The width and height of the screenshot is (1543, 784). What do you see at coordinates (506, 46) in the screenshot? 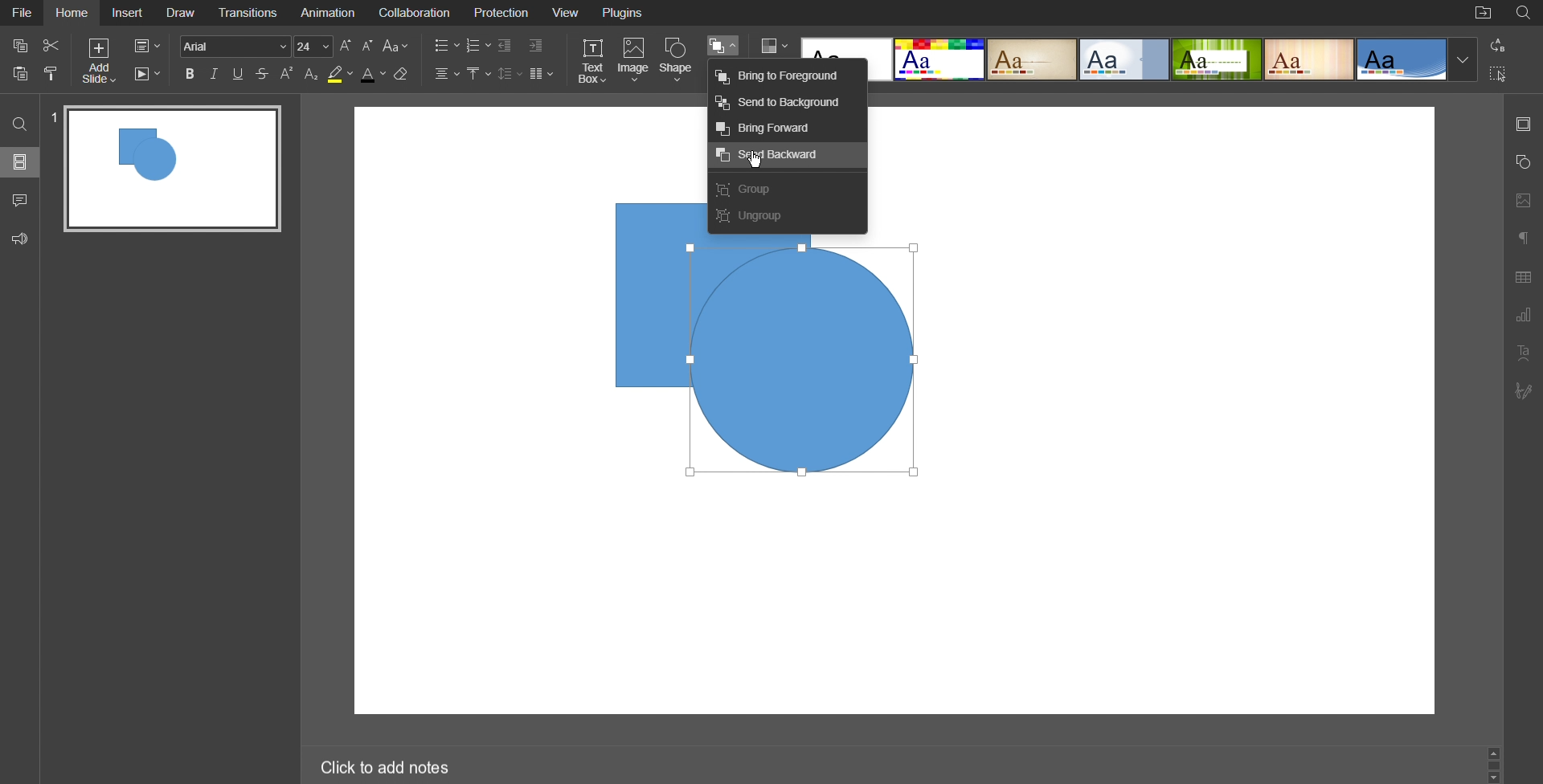
I see `Decrease Indent` at bounding box center [506, 46].